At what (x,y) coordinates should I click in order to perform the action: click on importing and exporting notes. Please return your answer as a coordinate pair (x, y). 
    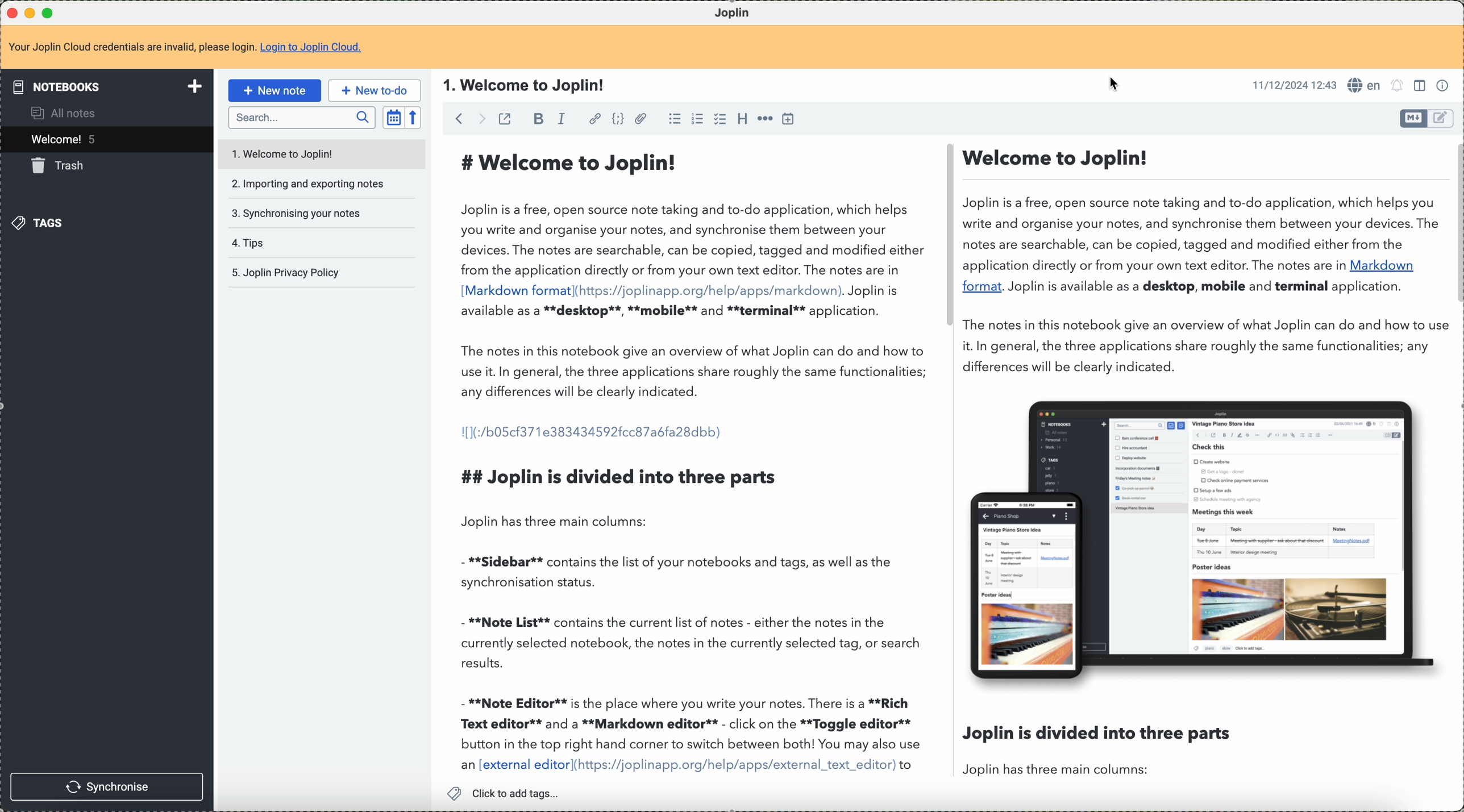
    Looking at the image, I should click on (309, 184).